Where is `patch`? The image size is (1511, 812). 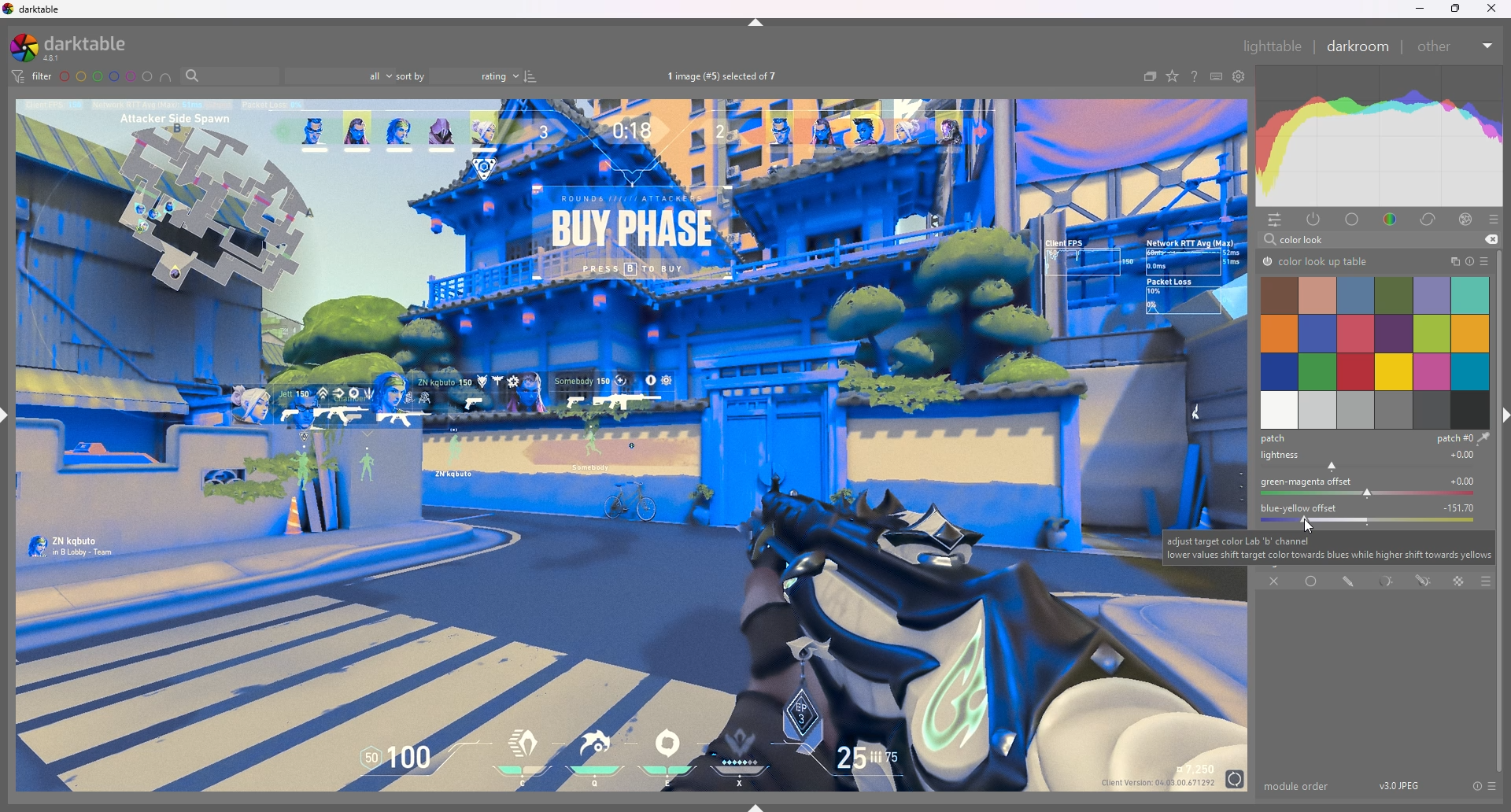
patch is located at coordinates (1373, 438).